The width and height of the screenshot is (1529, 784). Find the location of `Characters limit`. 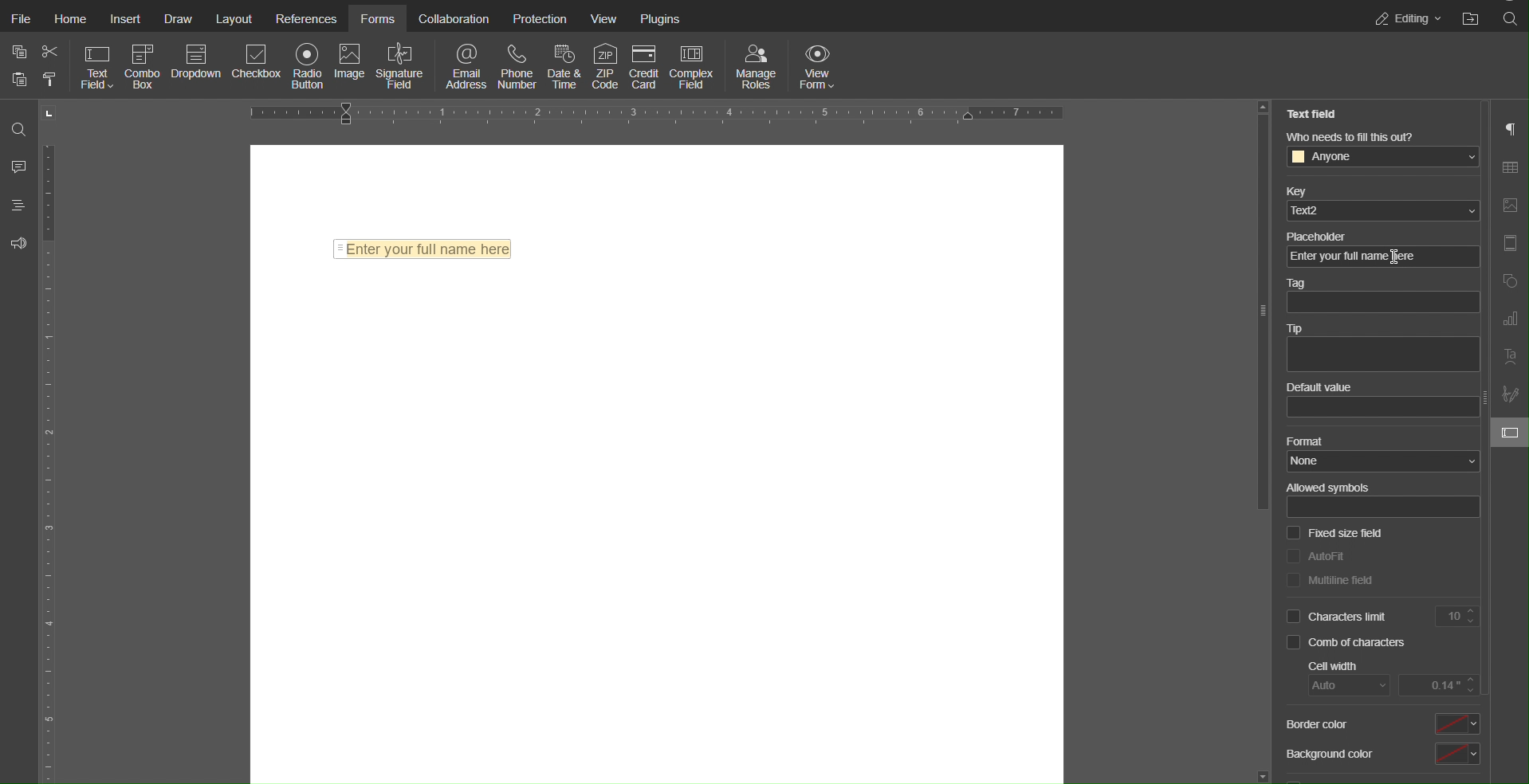

Characters limit is located at coordinates (1339, 616).